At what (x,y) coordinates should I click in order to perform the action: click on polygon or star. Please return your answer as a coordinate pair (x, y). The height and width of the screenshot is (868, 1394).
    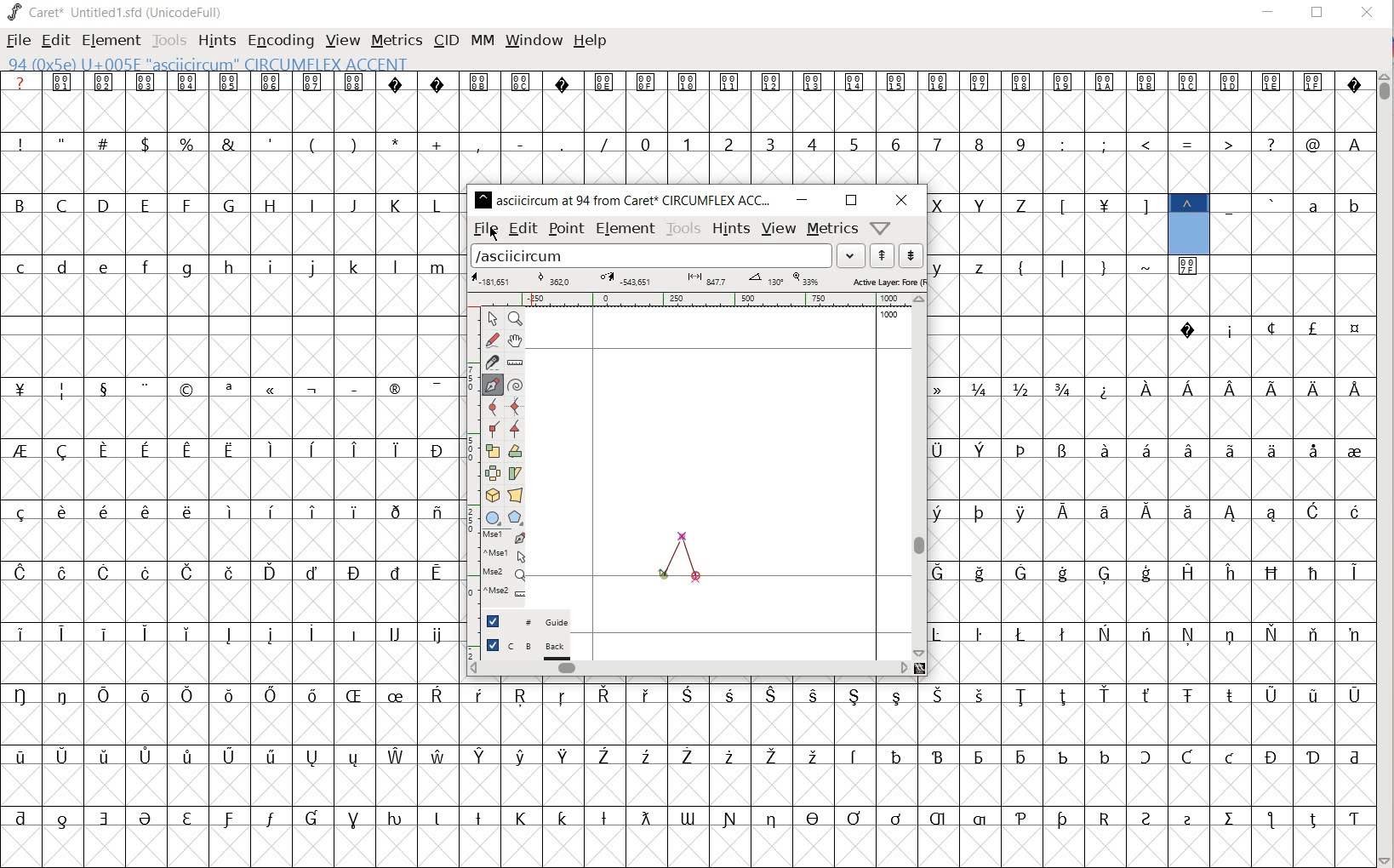
    Looking at the image, I should click on (515, 517).